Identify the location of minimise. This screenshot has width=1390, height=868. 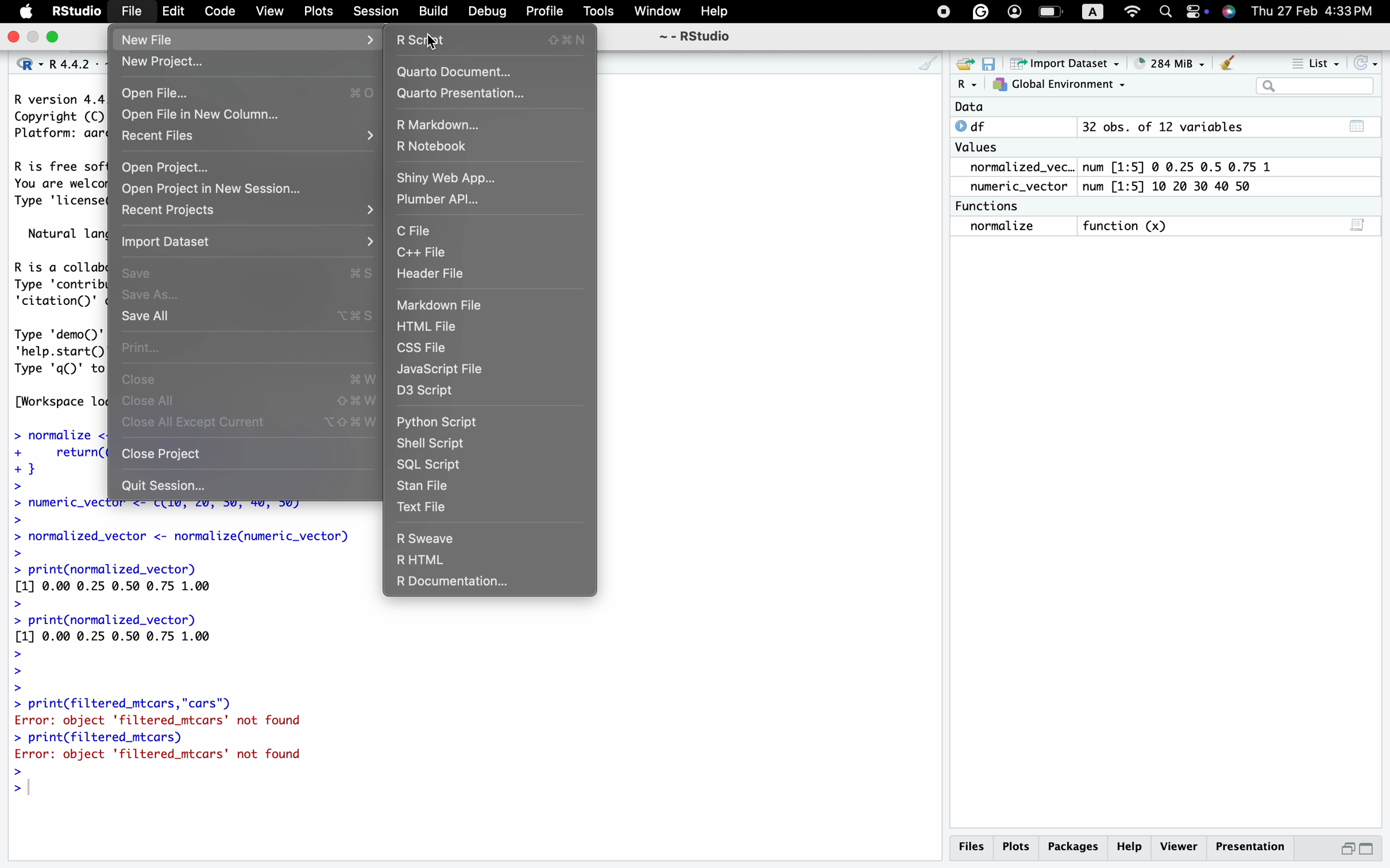
(1349, 847).